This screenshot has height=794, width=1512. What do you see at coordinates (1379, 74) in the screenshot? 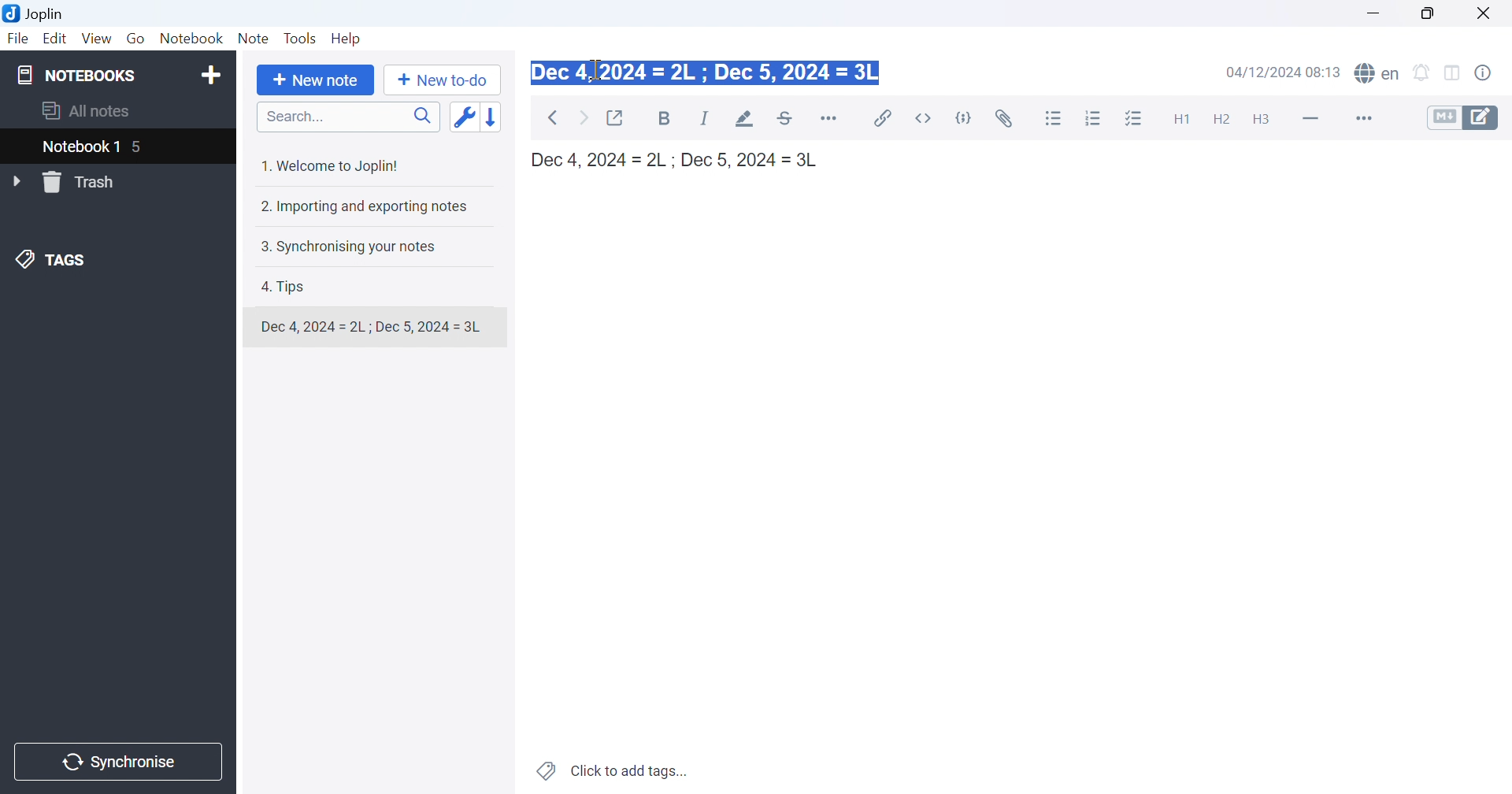
I see `Spell checker` at bounding box center [1379, 74].